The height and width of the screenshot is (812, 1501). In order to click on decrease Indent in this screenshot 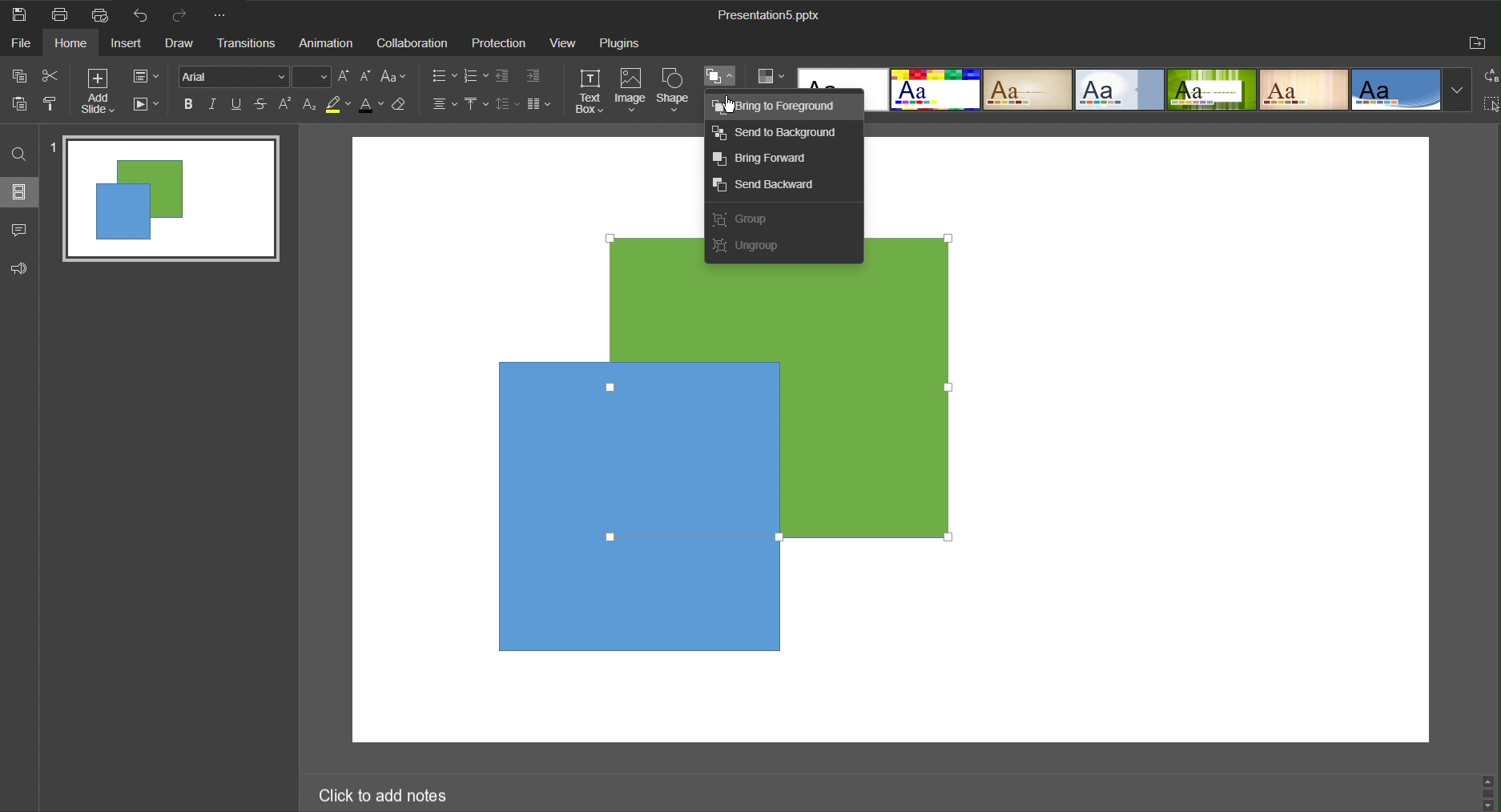, I will do `click(504, 76)`.